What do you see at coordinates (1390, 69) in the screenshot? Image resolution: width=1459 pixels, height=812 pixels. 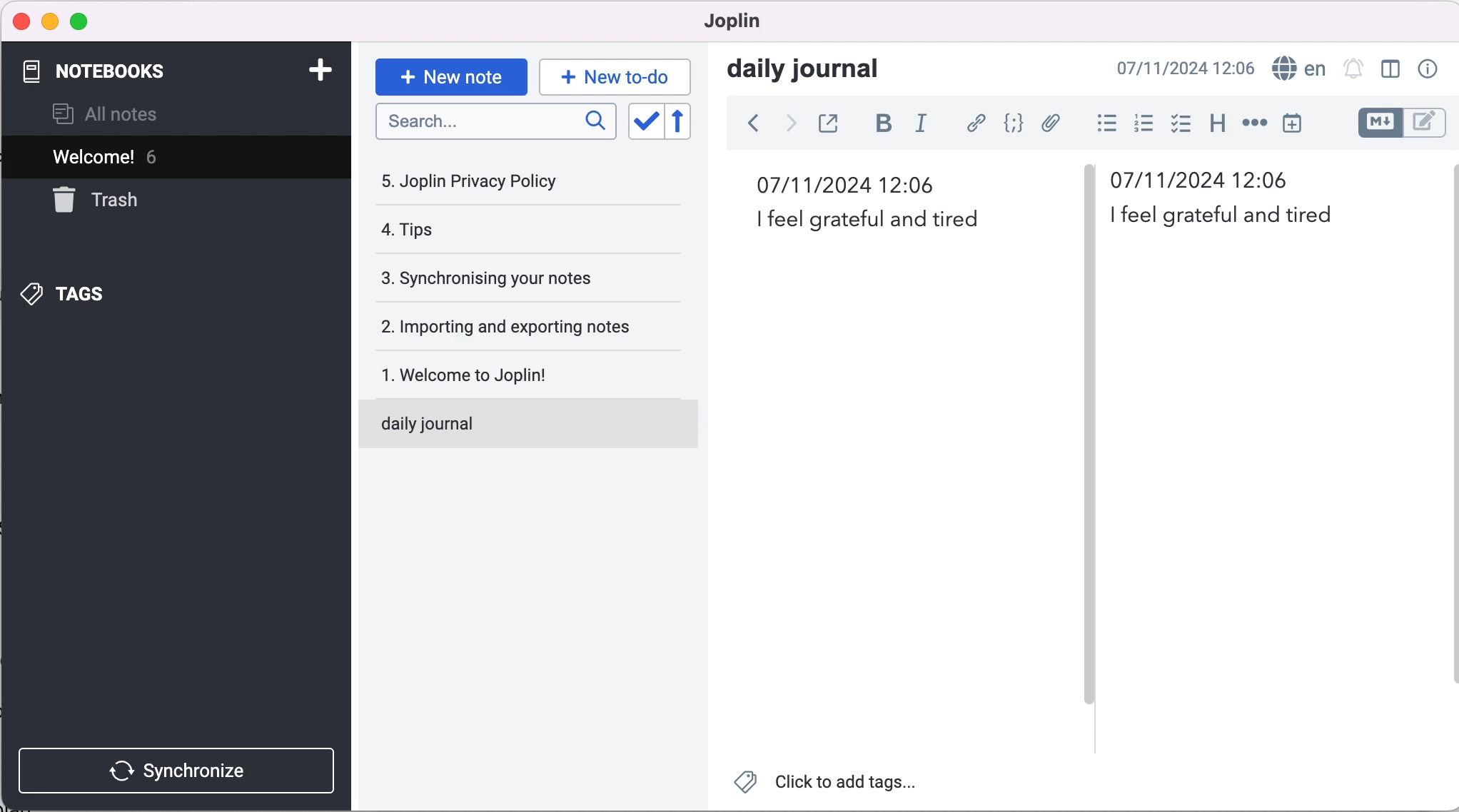 I see `toggle editor layout` at bounding box center [1390, 69].